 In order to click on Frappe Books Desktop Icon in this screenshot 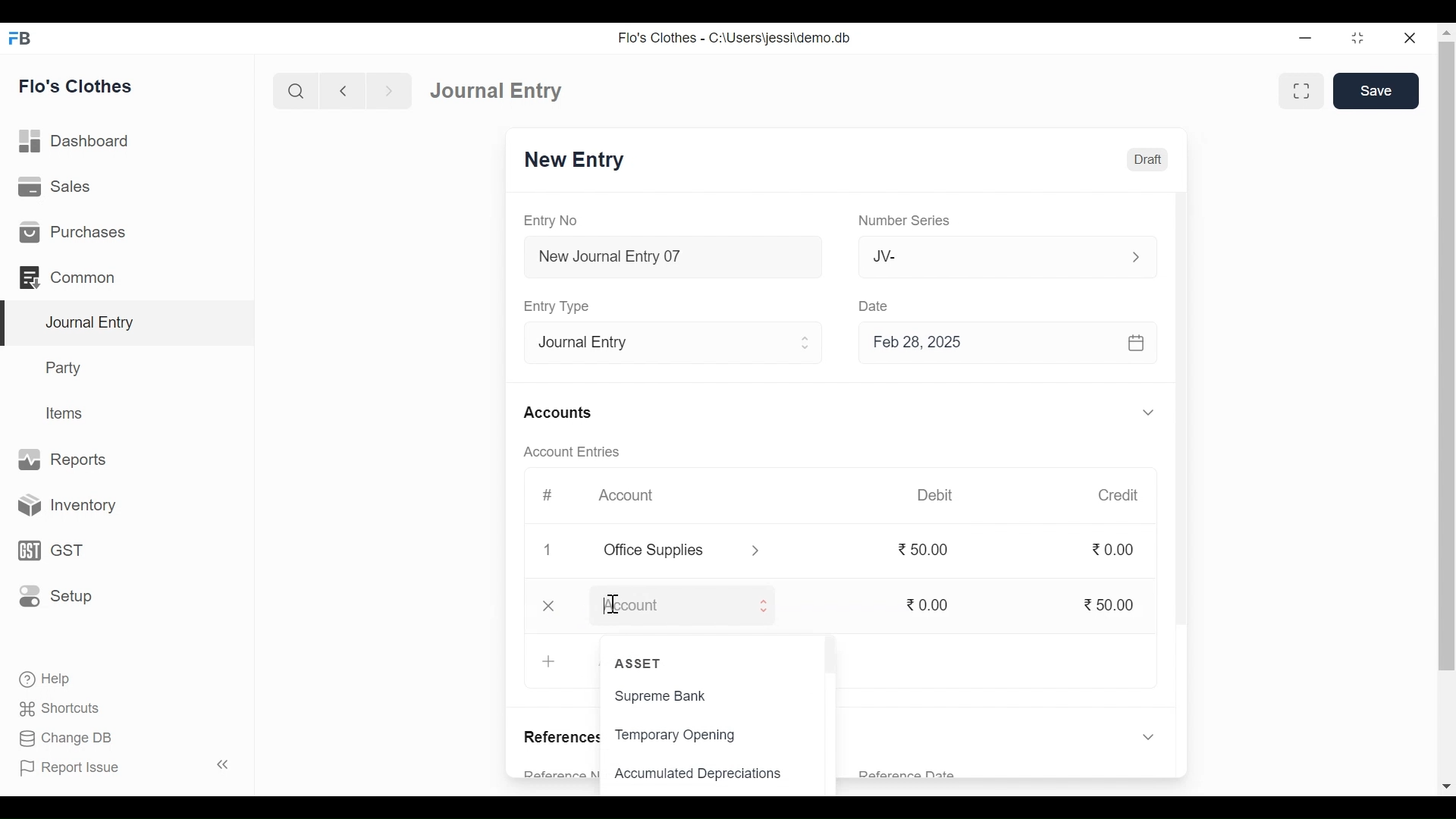, I will do `click(20, 39)`.